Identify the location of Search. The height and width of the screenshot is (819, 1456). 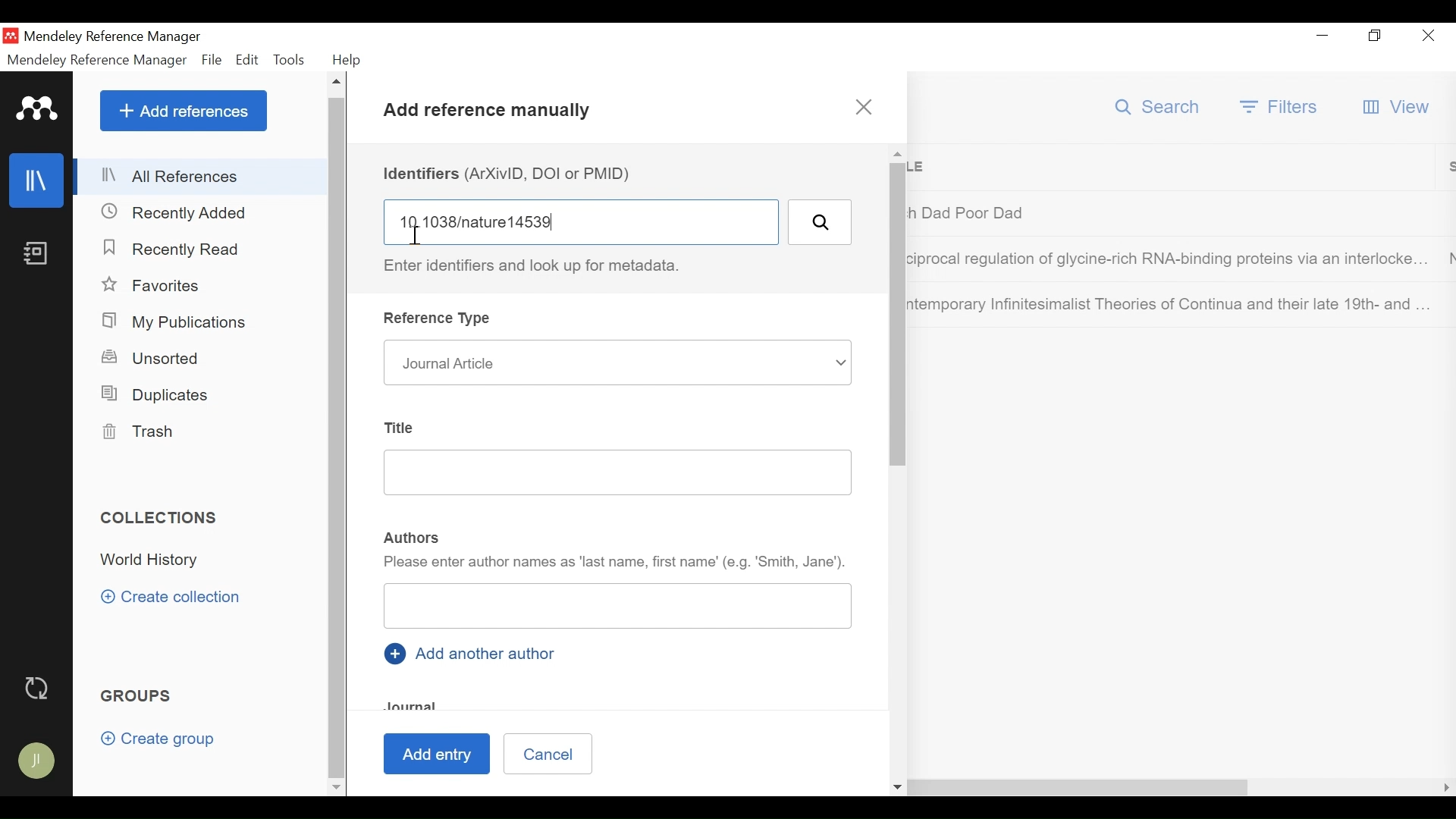
(1157, 107).